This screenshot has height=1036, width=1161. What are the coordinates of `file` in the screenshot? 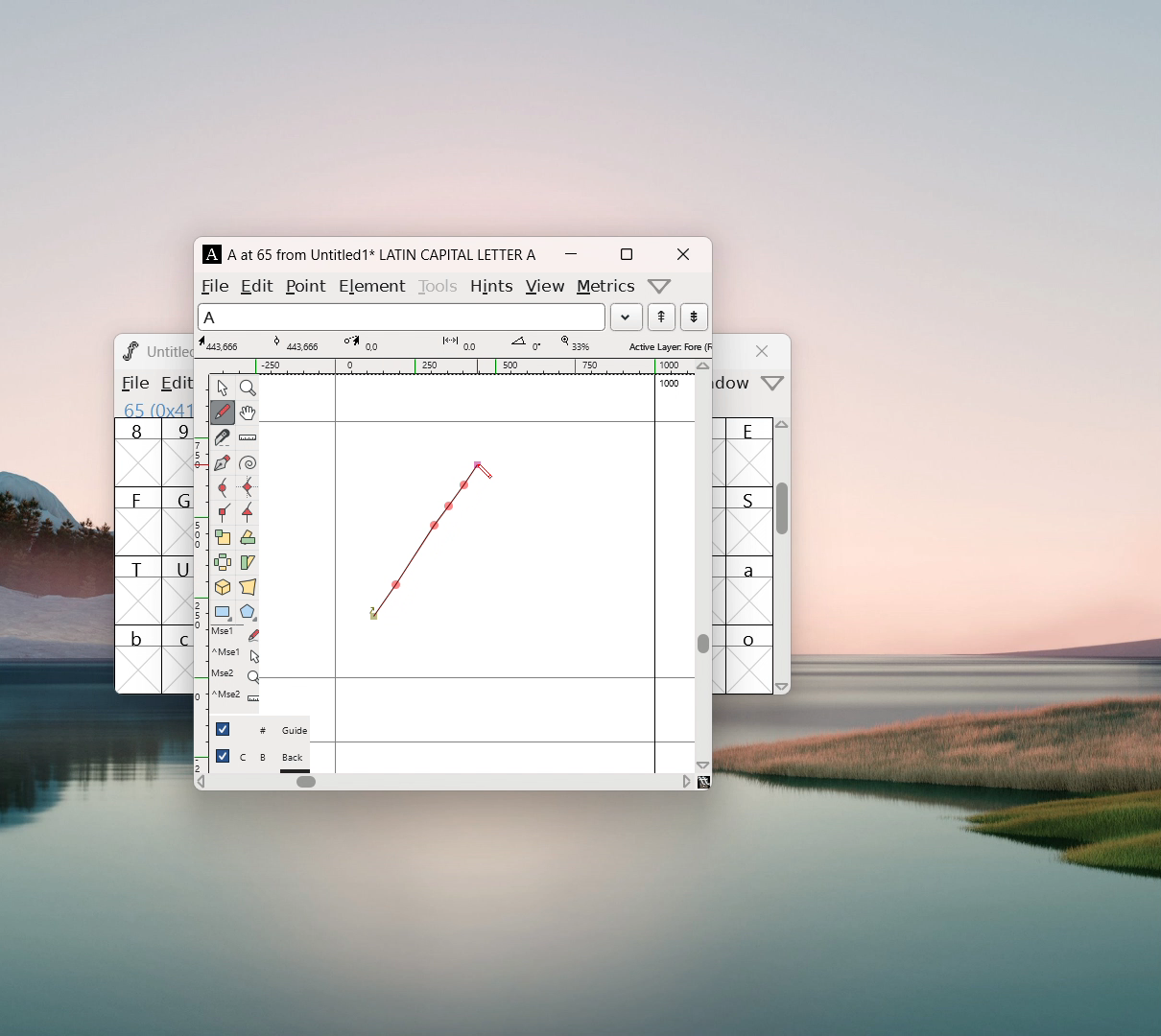 It's located at (133, 383).